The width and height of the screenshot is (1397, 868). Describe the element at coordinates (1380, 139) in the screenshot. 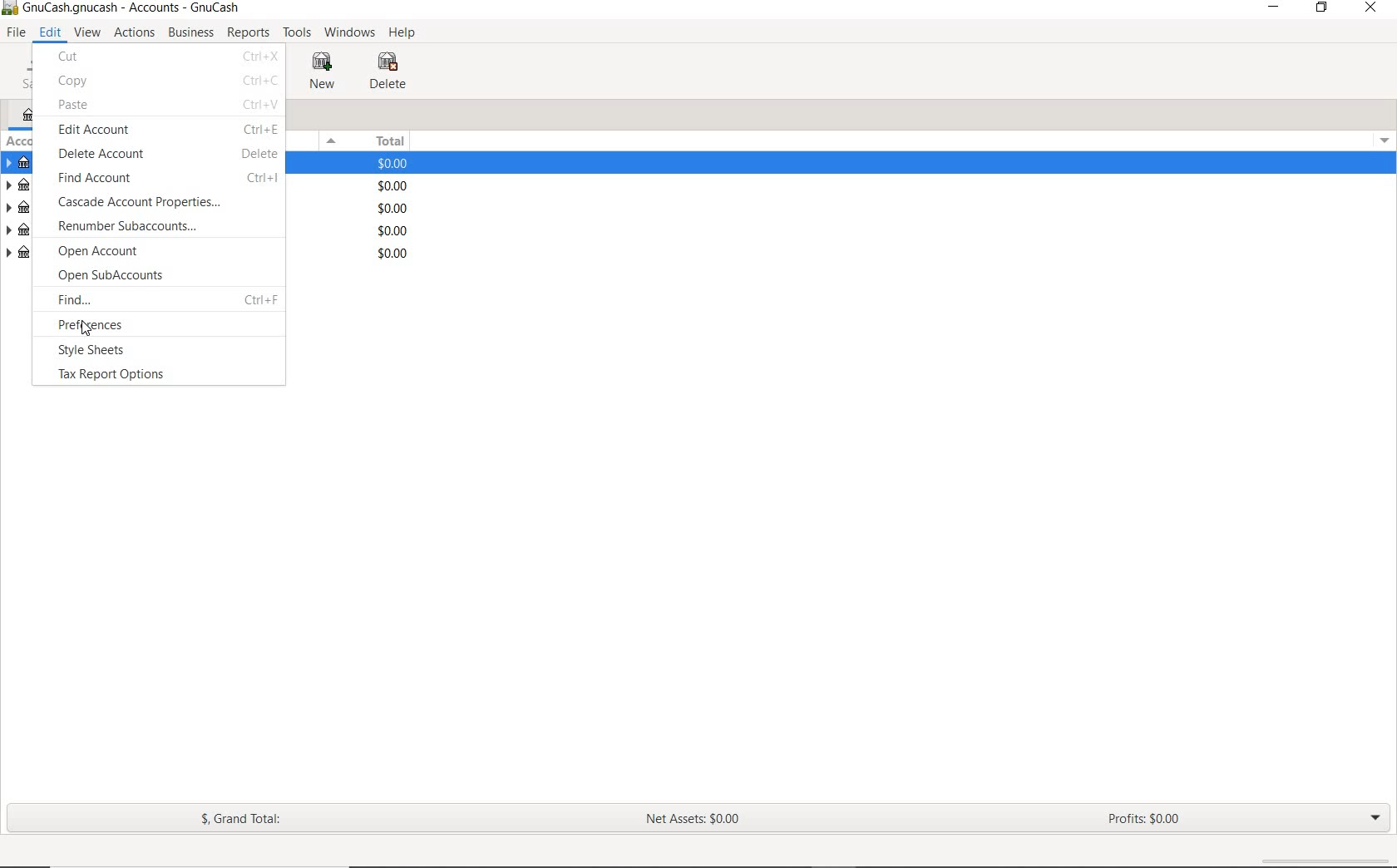

I see `Menu` at that location.